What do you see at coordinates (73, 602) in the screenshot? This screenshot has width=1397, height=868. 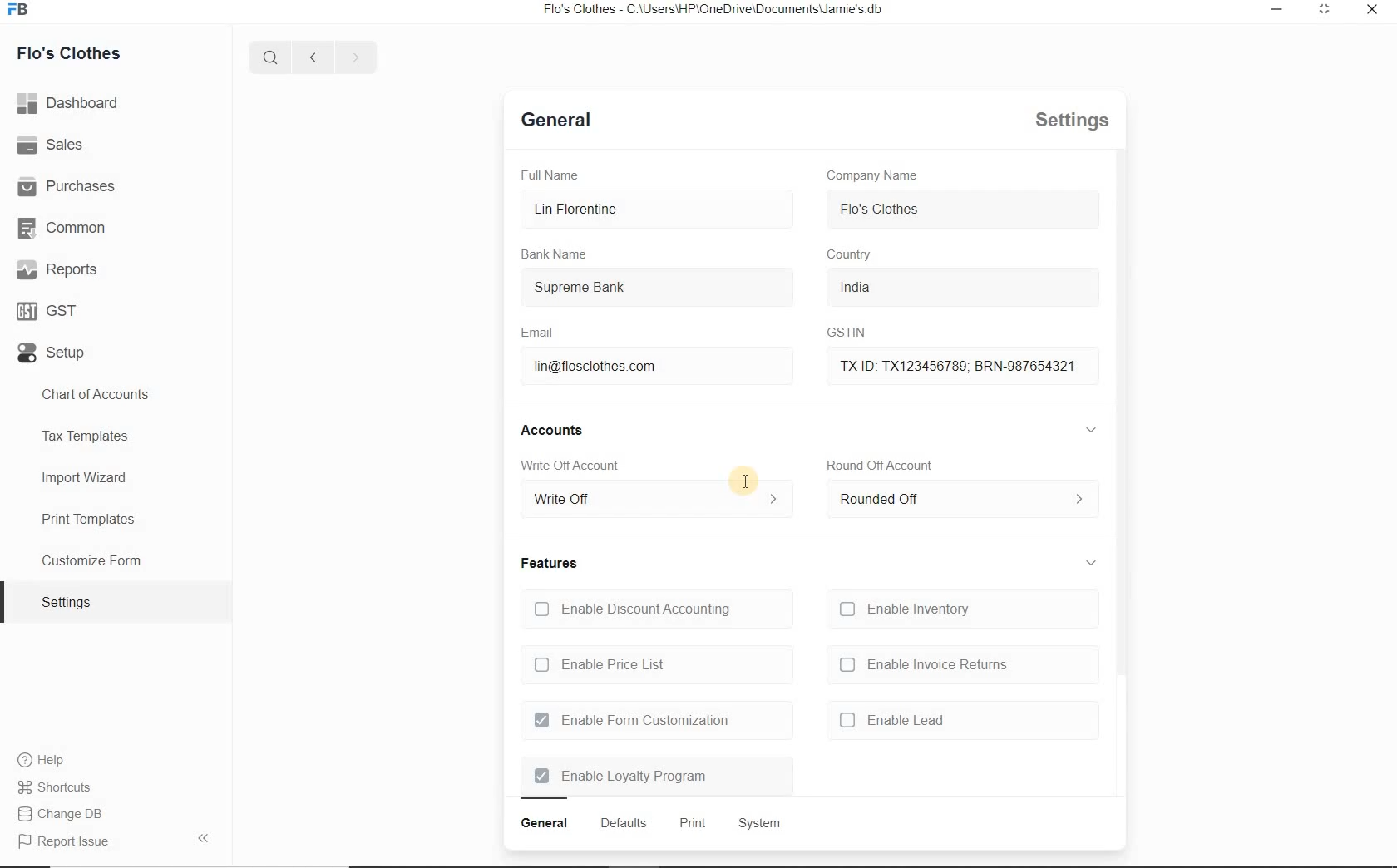 I see `Settings` at bounding box center [73, 602].